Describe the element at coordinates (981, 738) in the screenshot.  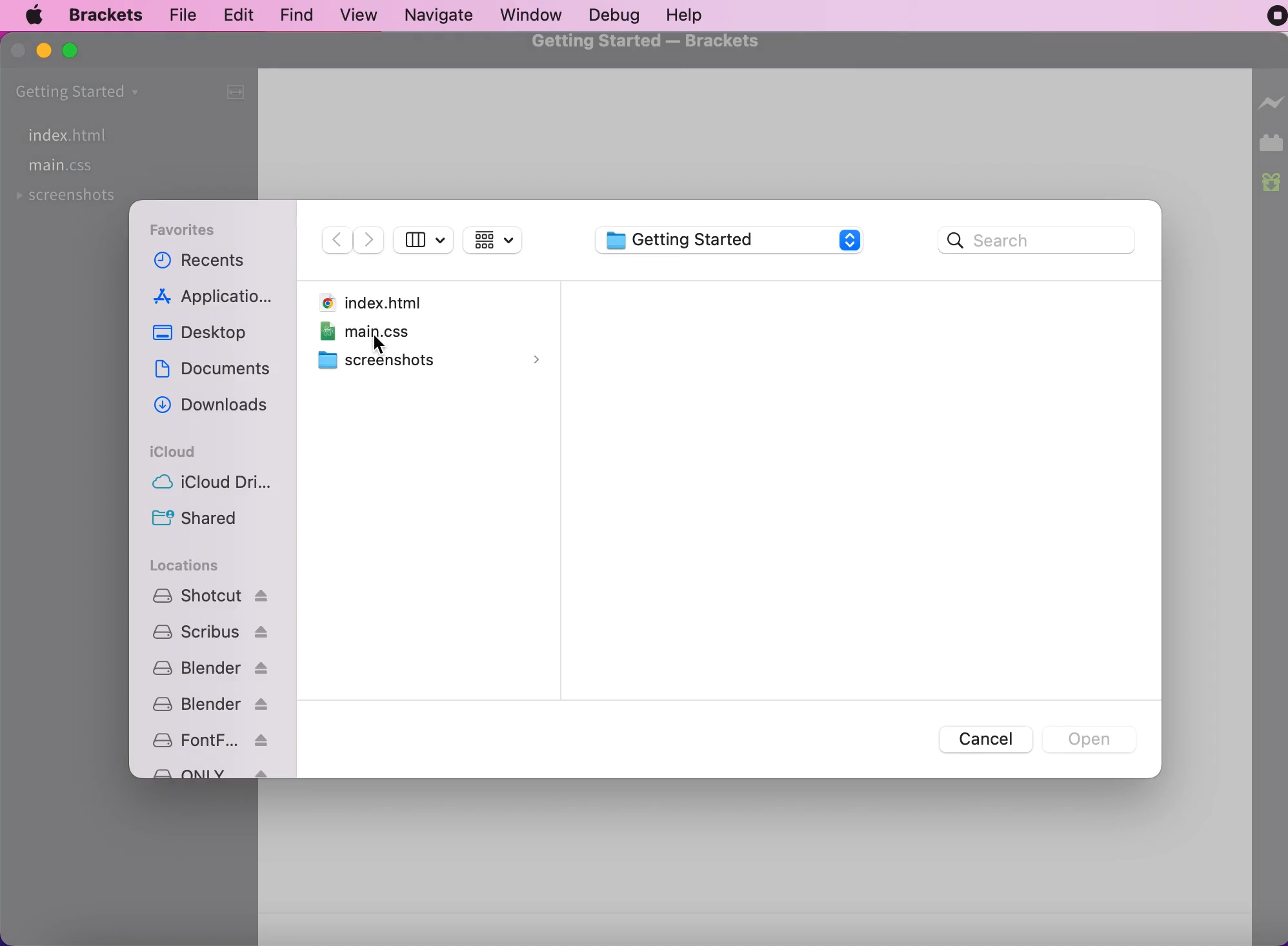
I see `cancel` at that location.